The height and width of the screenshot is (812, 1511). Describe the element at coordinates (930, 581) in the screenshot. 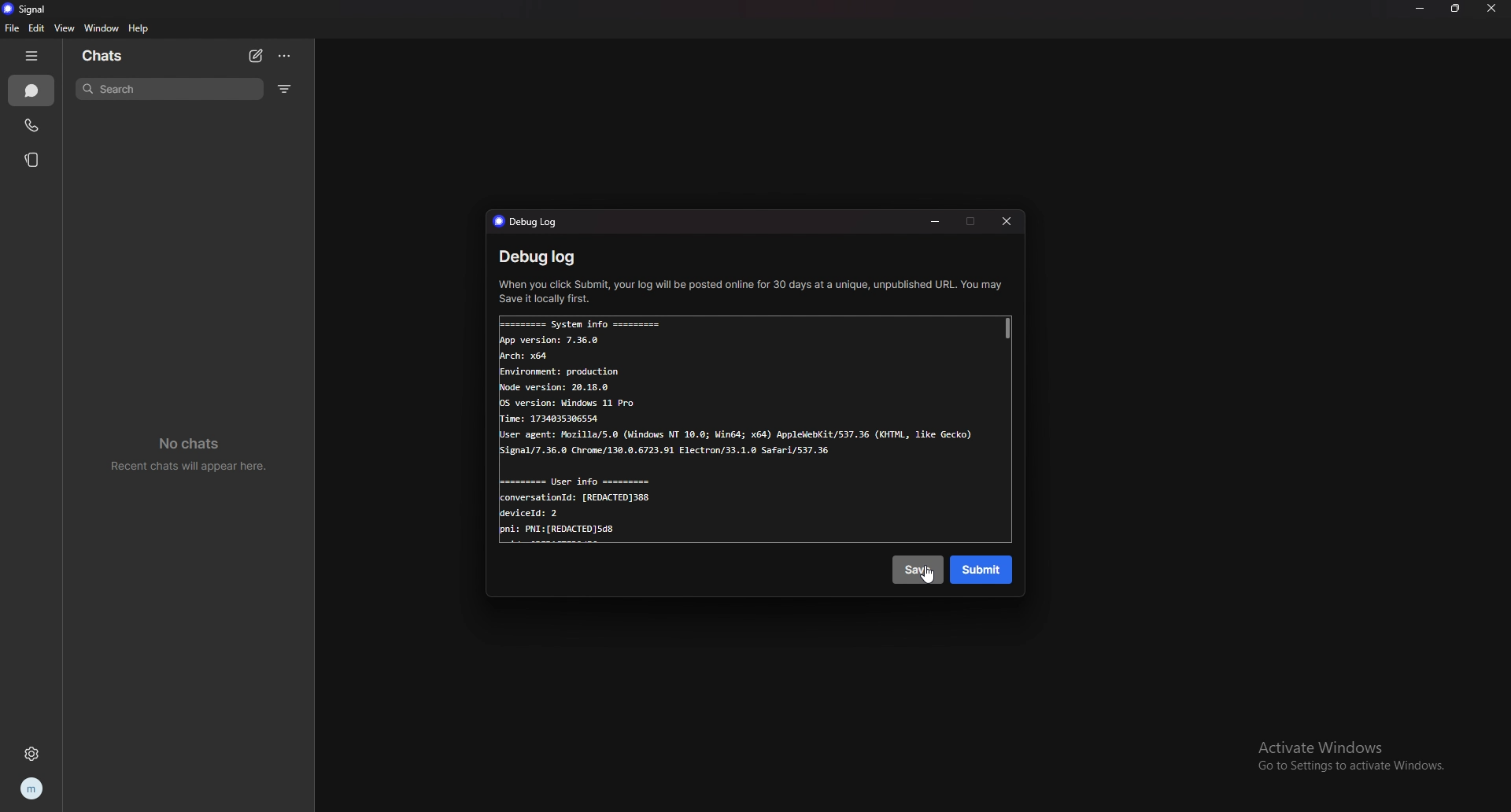

I see `cursor` at that location.